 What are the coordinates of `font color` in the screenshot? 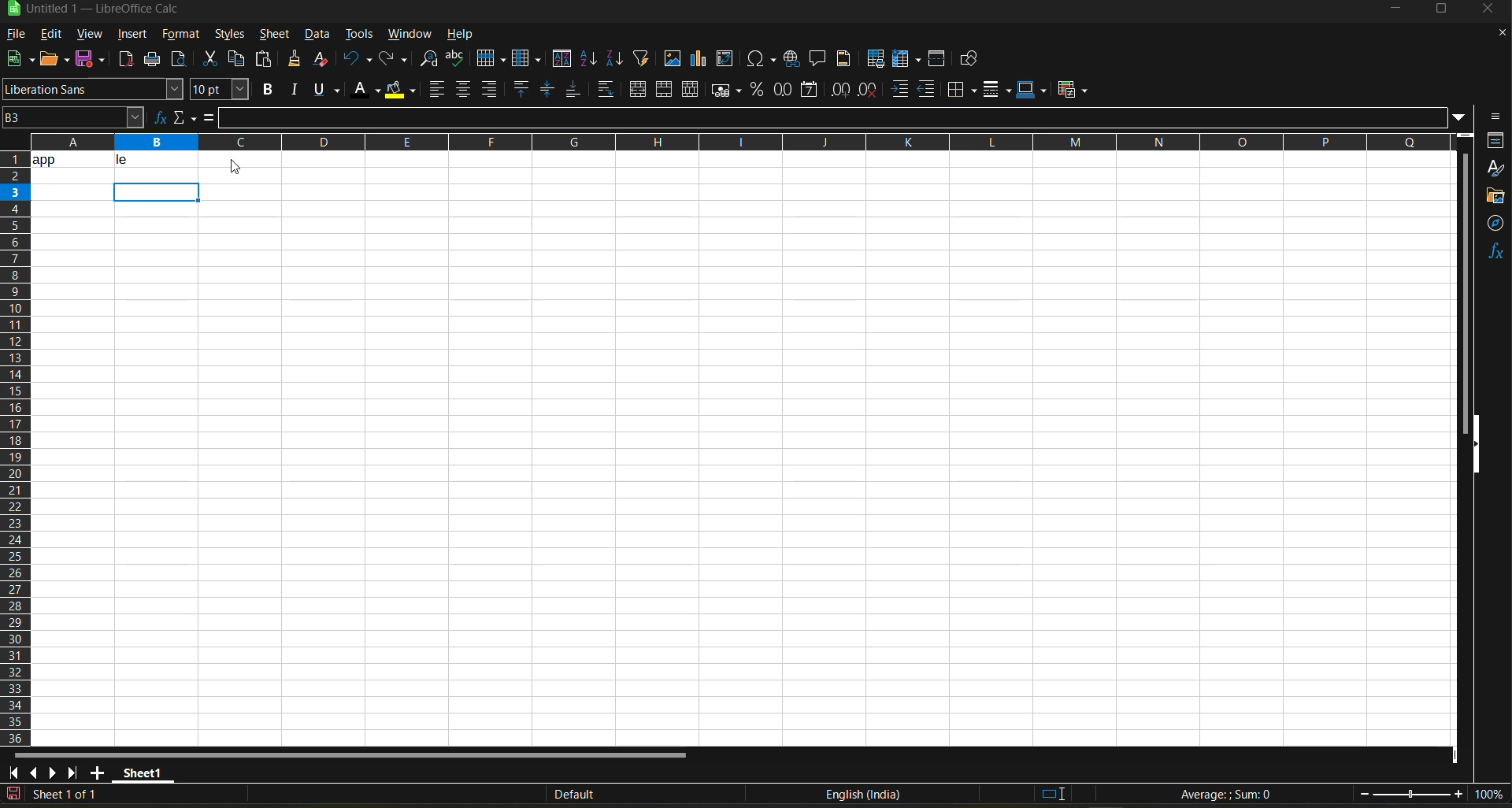 It's located at (369, 88).